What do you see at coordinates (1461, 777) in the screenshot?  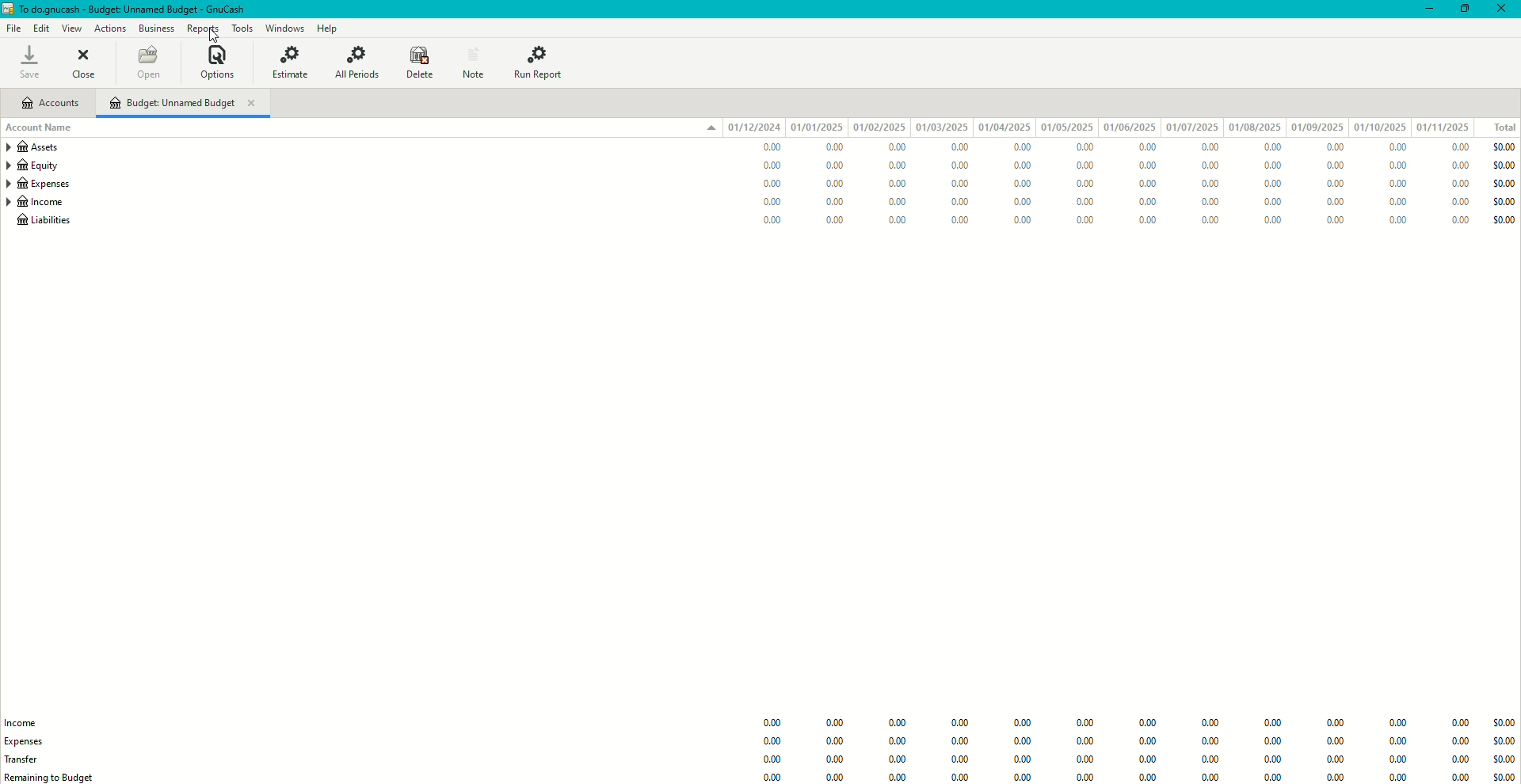 I see `0.00` at bounding box center [1461, 777].